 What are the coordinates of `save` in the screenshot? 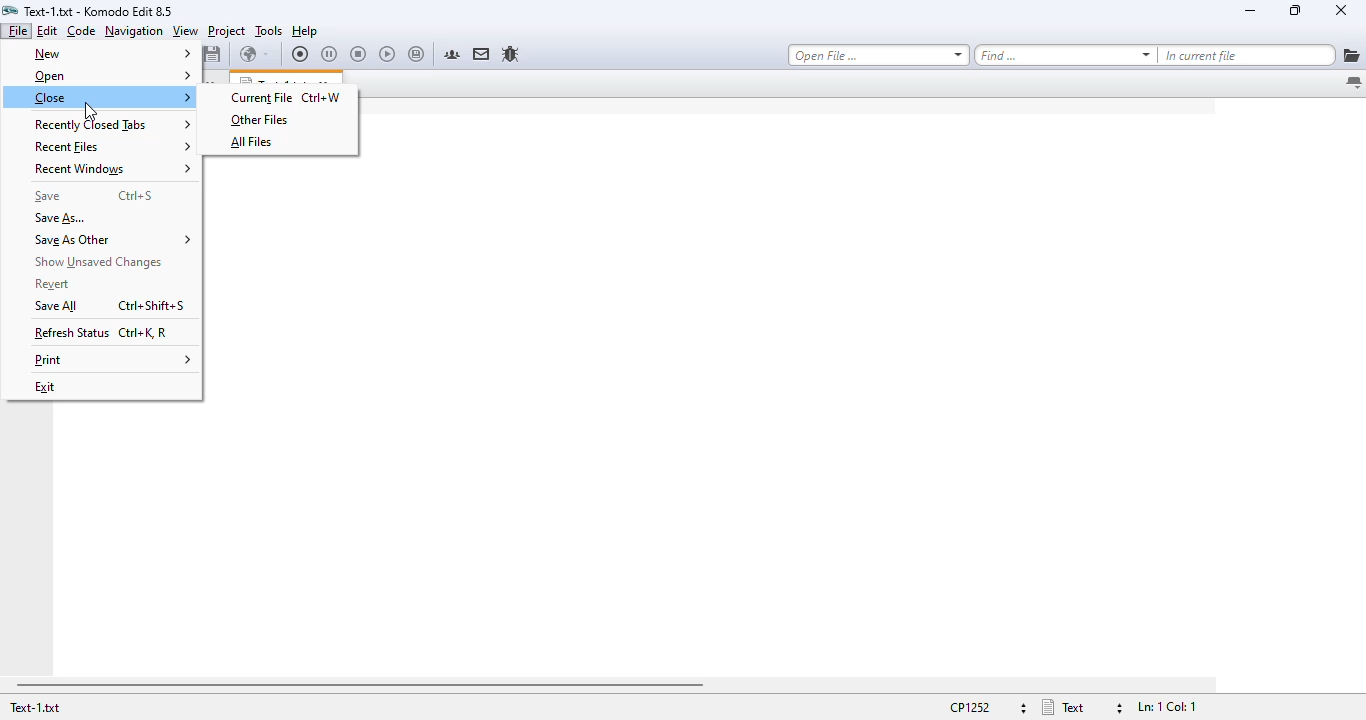 It's located at (47, 195).